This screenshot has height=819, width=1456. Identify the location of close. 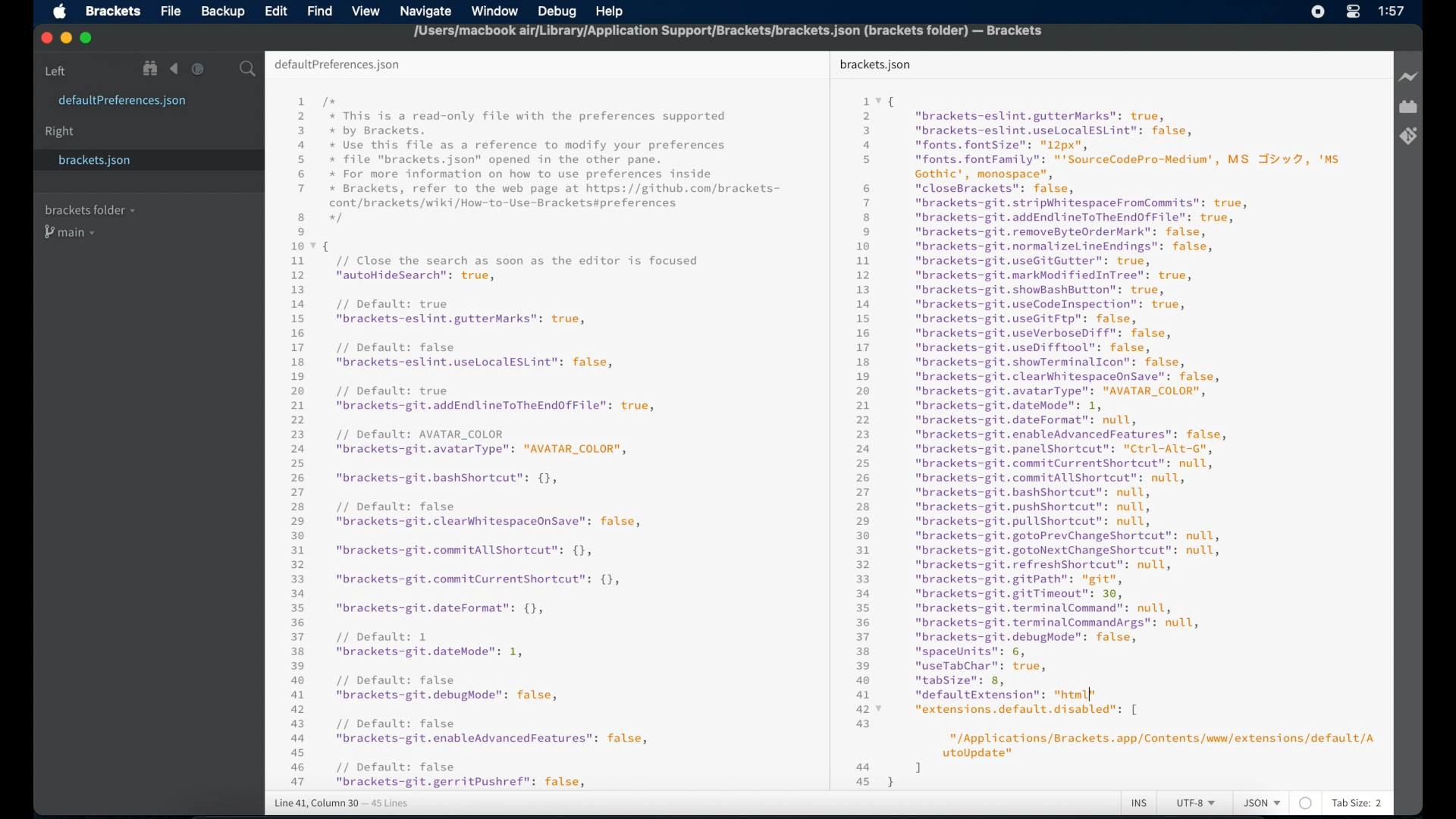
(45, 37).